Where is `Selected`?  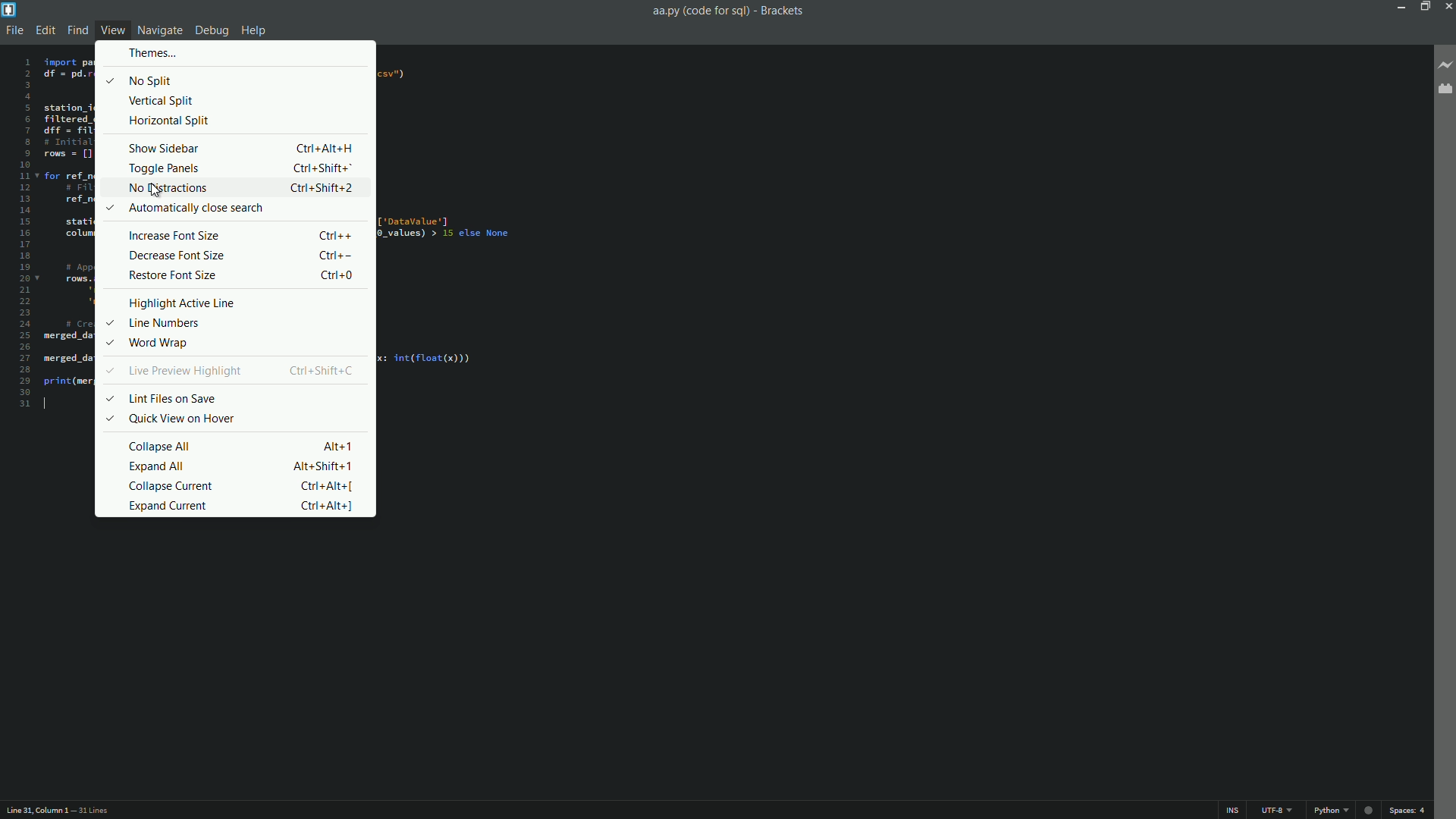
Selected is located at coordinates (109, 342).